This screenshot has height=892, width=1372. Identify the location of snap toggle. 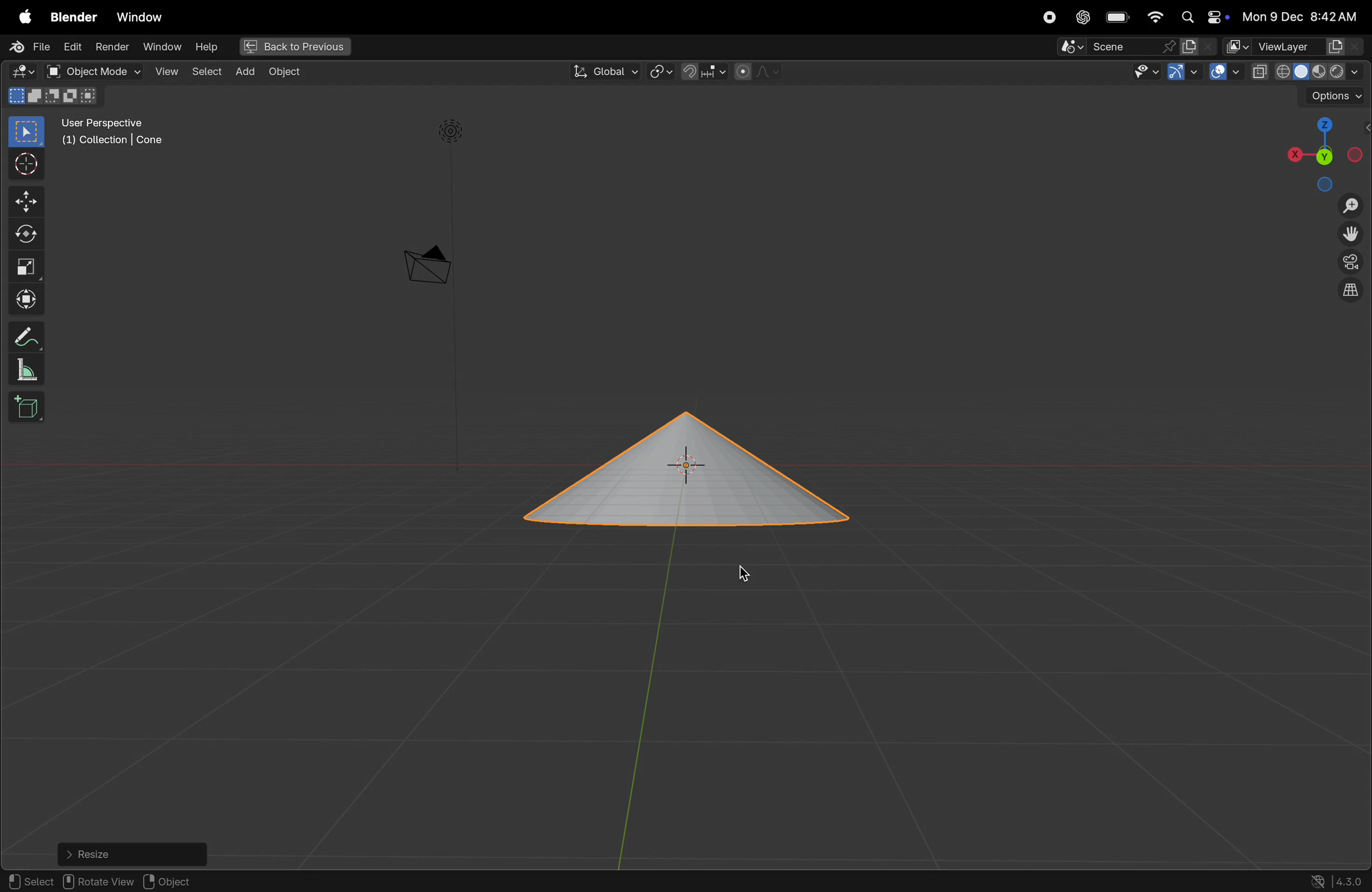
(658, 880).